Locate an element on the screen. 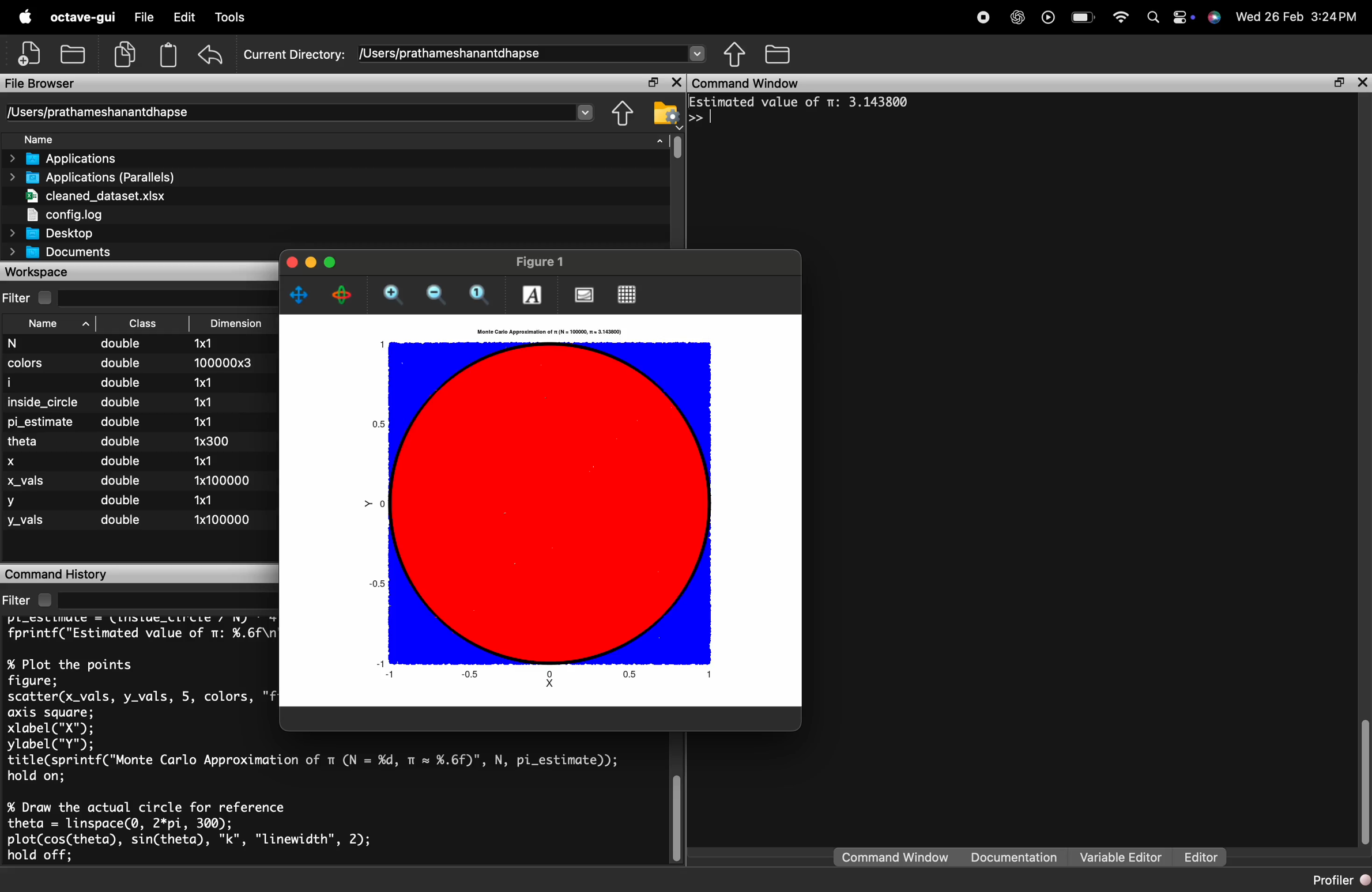 The image size is (1372, 892). battery is located at coordinates (1079, 18).